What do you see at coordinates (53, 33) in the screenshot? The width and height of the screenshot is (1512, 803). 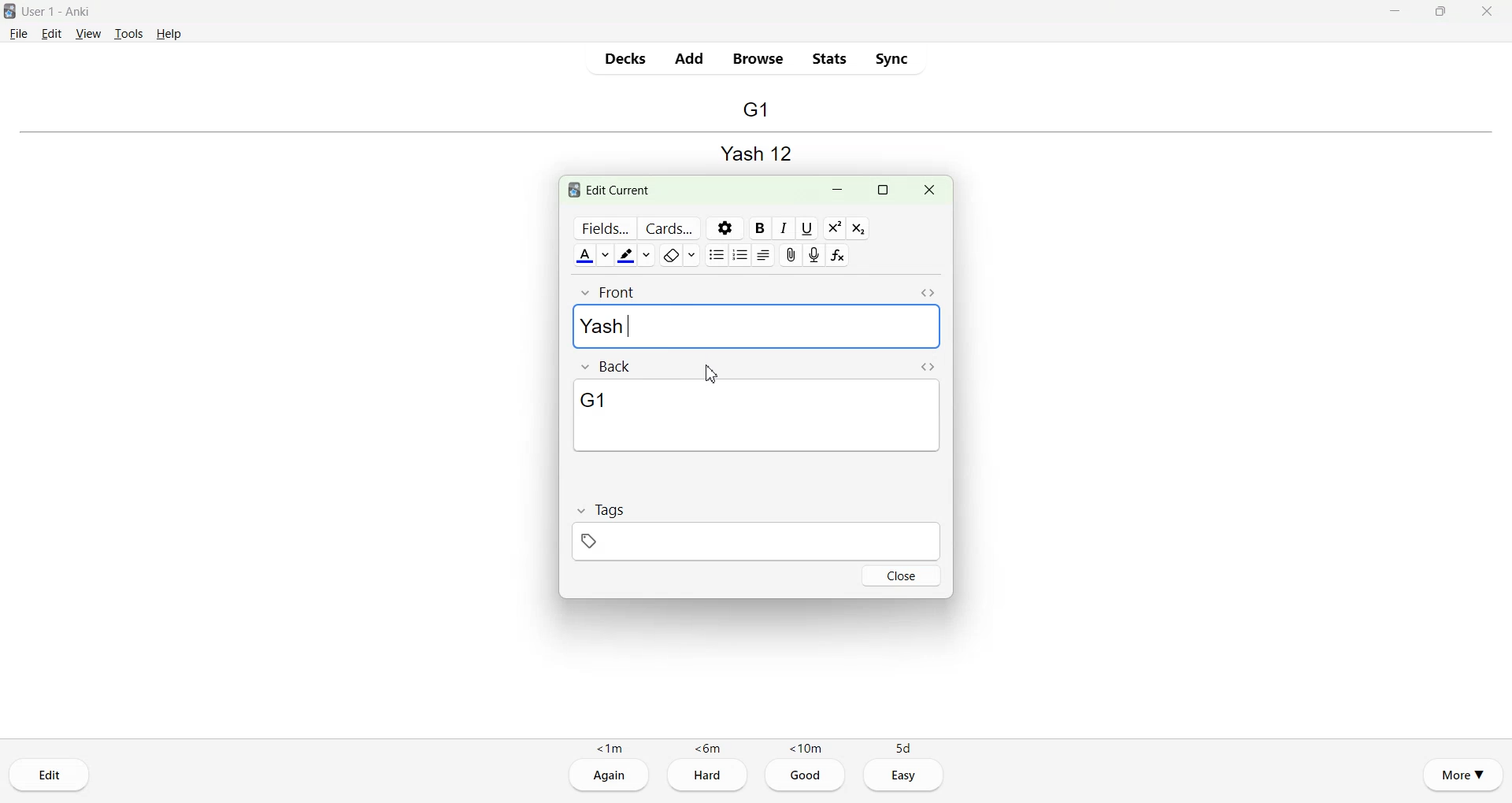 I see `Edit` at bounding box center [53, 33].